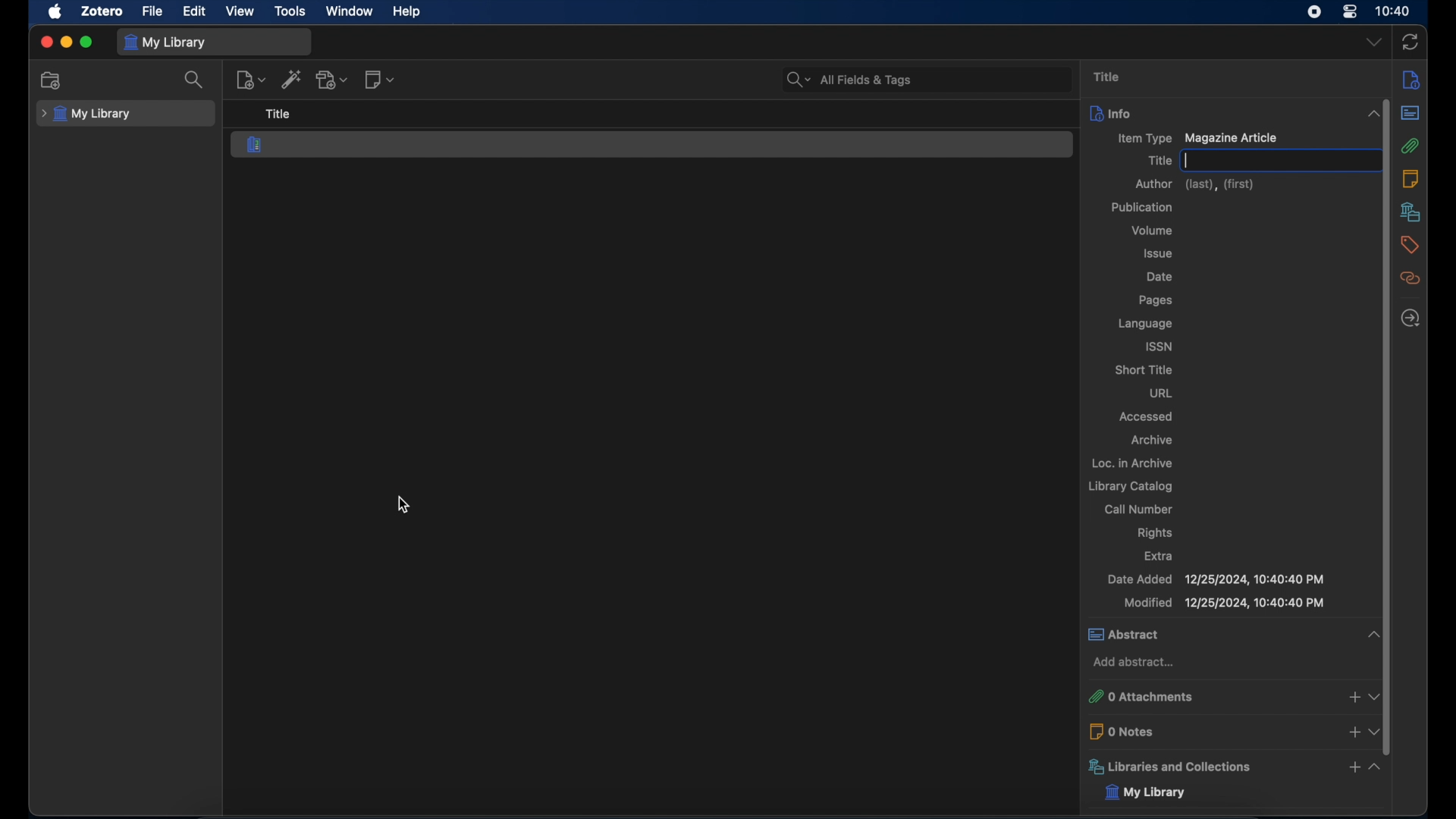  What do you see at coordinates (1216, 579) in the screenshot?
I see `date added` at bounding box center [1216, 579].